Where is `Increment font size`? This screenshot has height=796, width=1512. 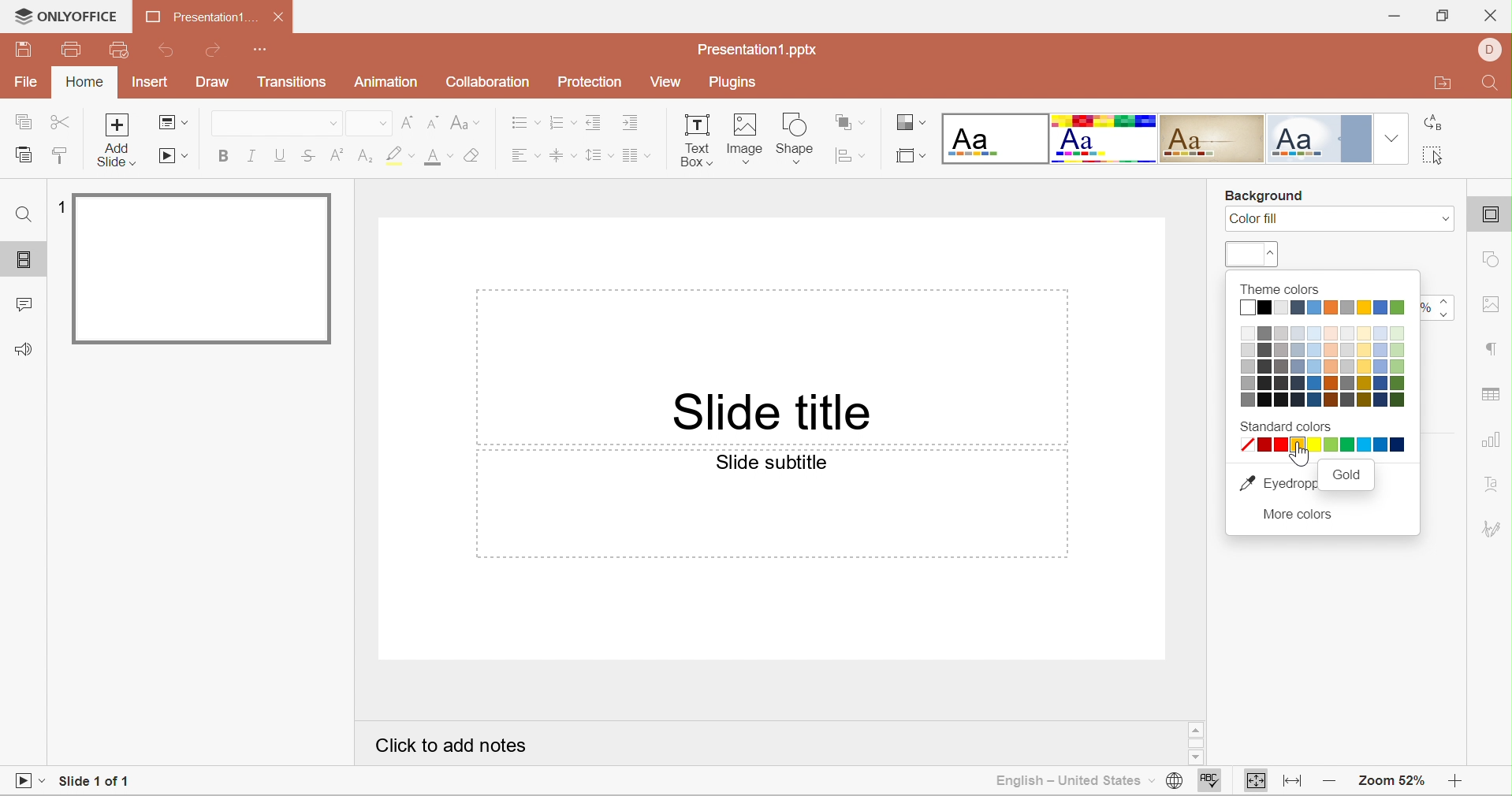 Increment font size is located at coordinates (406, 121).